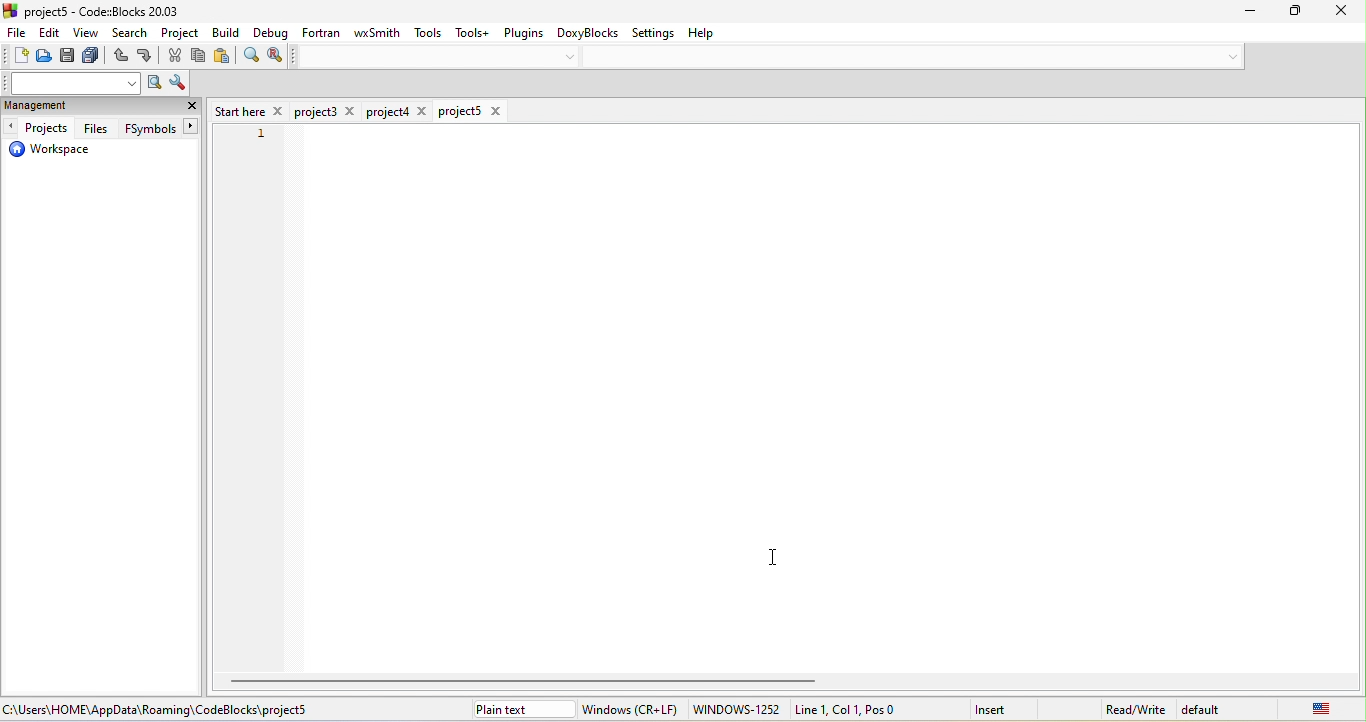 The width and height of the screenshot is (1366, 722). I want to click on projects, so click(39, 128).